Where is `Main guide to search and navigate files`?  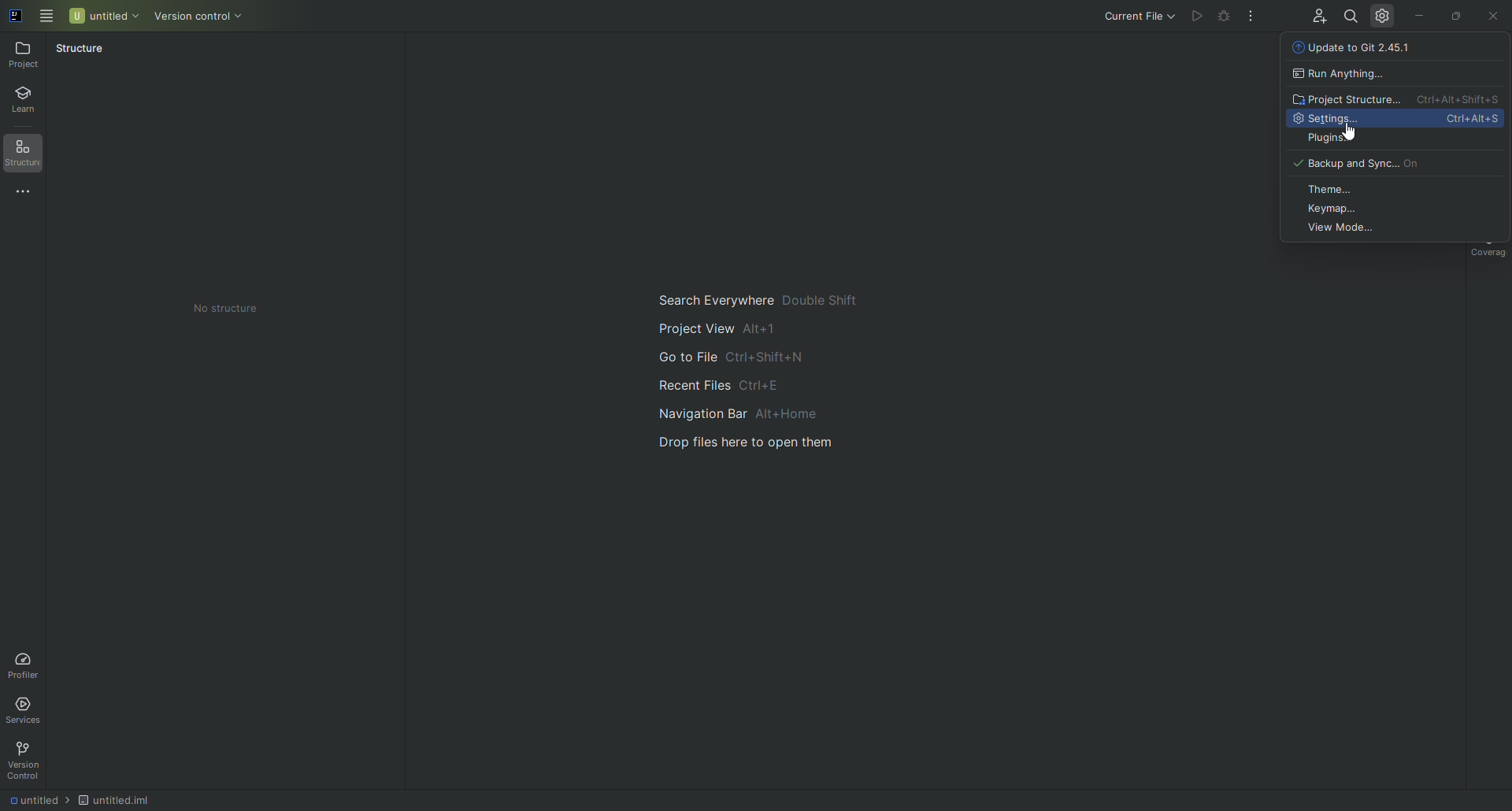 Main guide to search and navigate files is located at coordinates (746, 376).